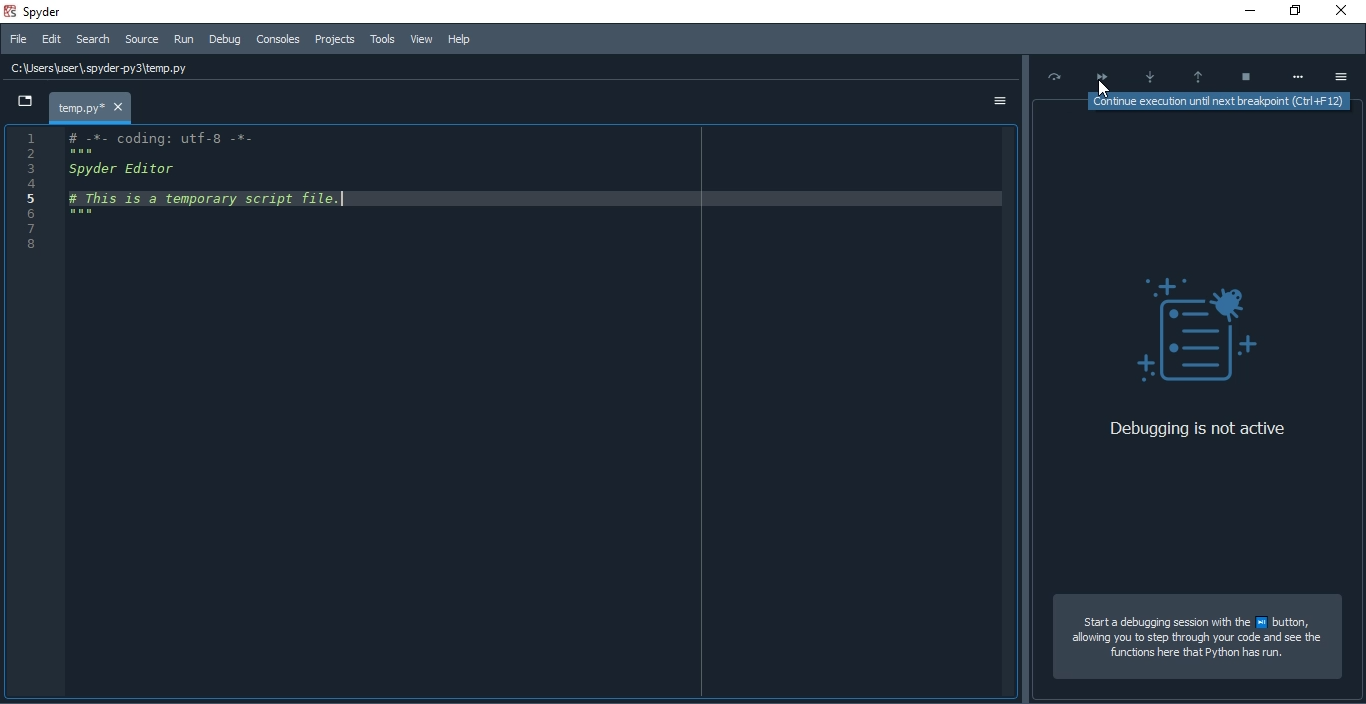  Describe the element at coordinates (1294, 11) in the screenshot. I see `restore` at that location.